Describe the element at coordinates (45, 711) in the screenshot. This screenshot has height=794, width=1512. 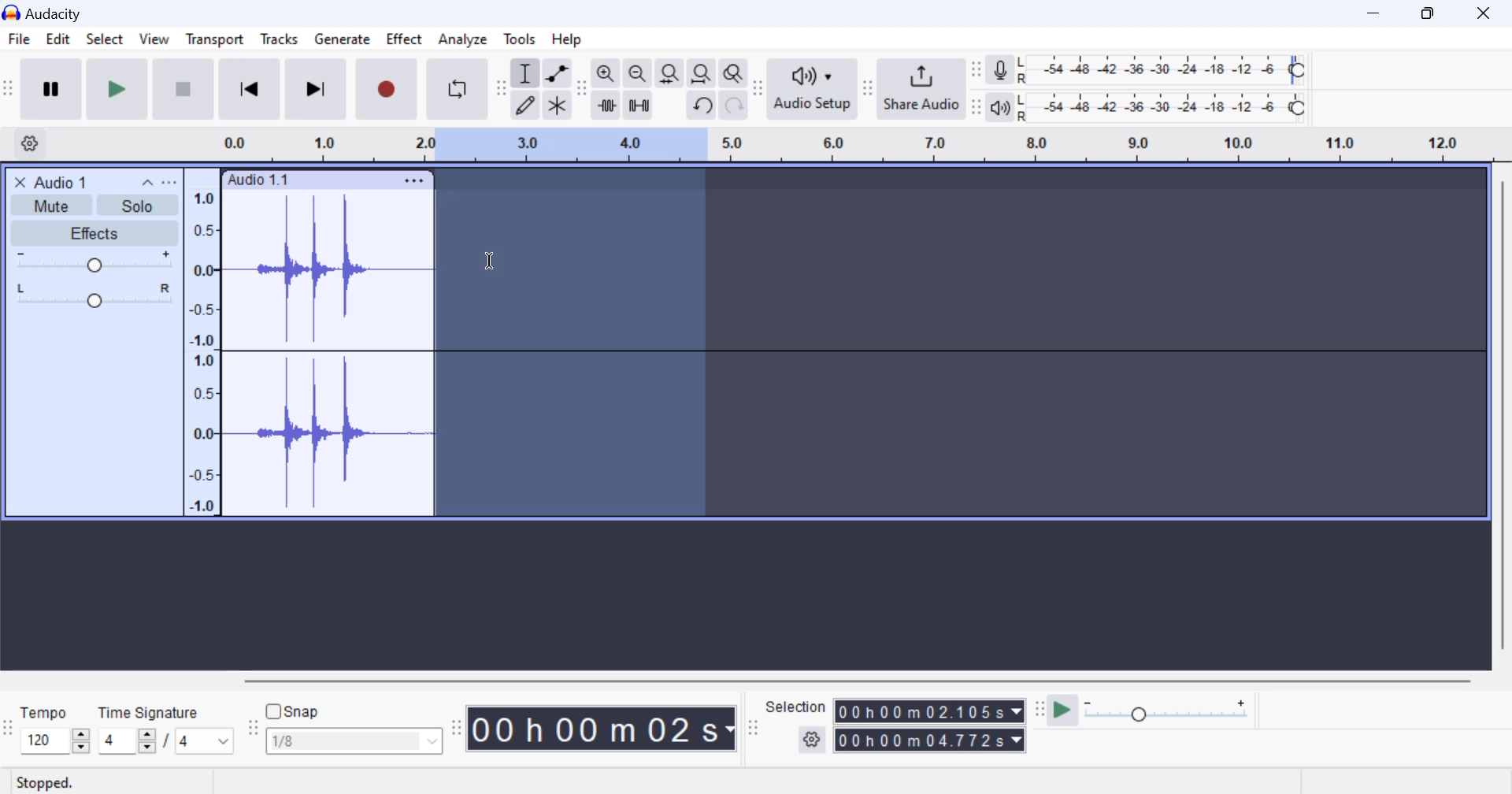
I see `Tempo ` at that location.